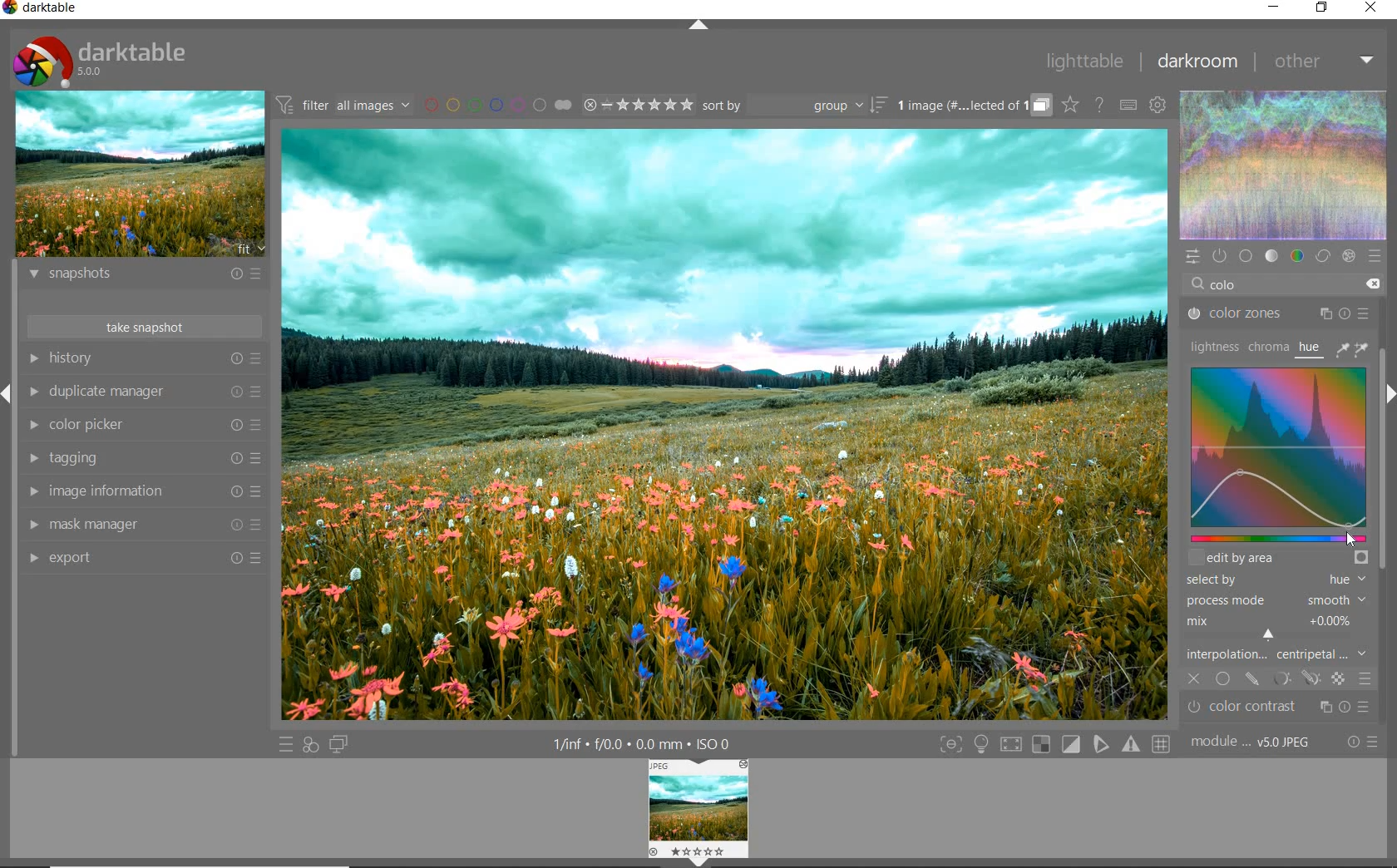 This screenshot has height=868, width=1397. What do you see at coordinates (1100, 106) in the screenshot?
I see `enable online help` at bounding box center [1100, 106].